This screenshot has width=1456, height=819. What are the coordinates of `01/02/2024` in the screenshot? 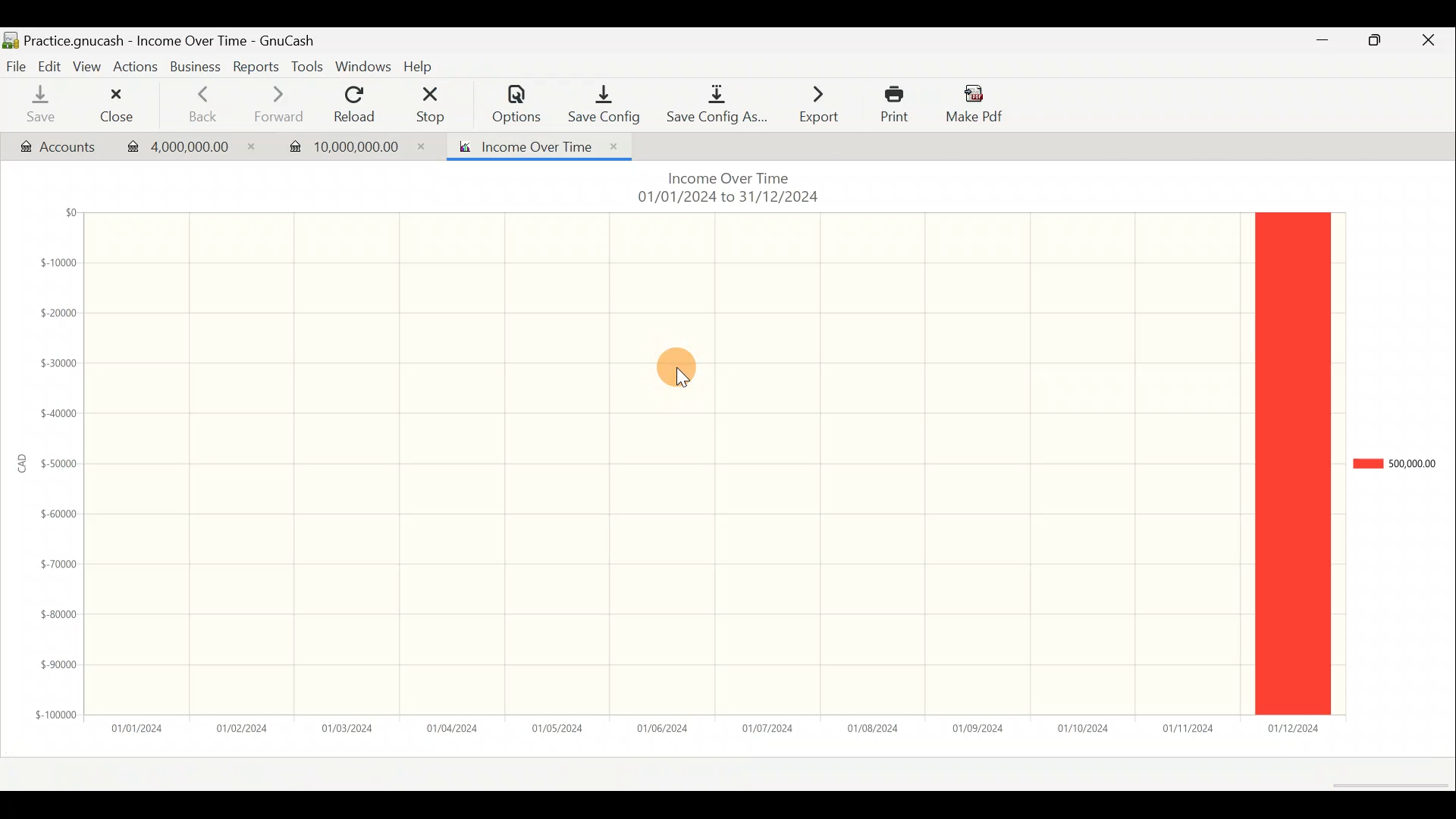 It's located at (243, 729).